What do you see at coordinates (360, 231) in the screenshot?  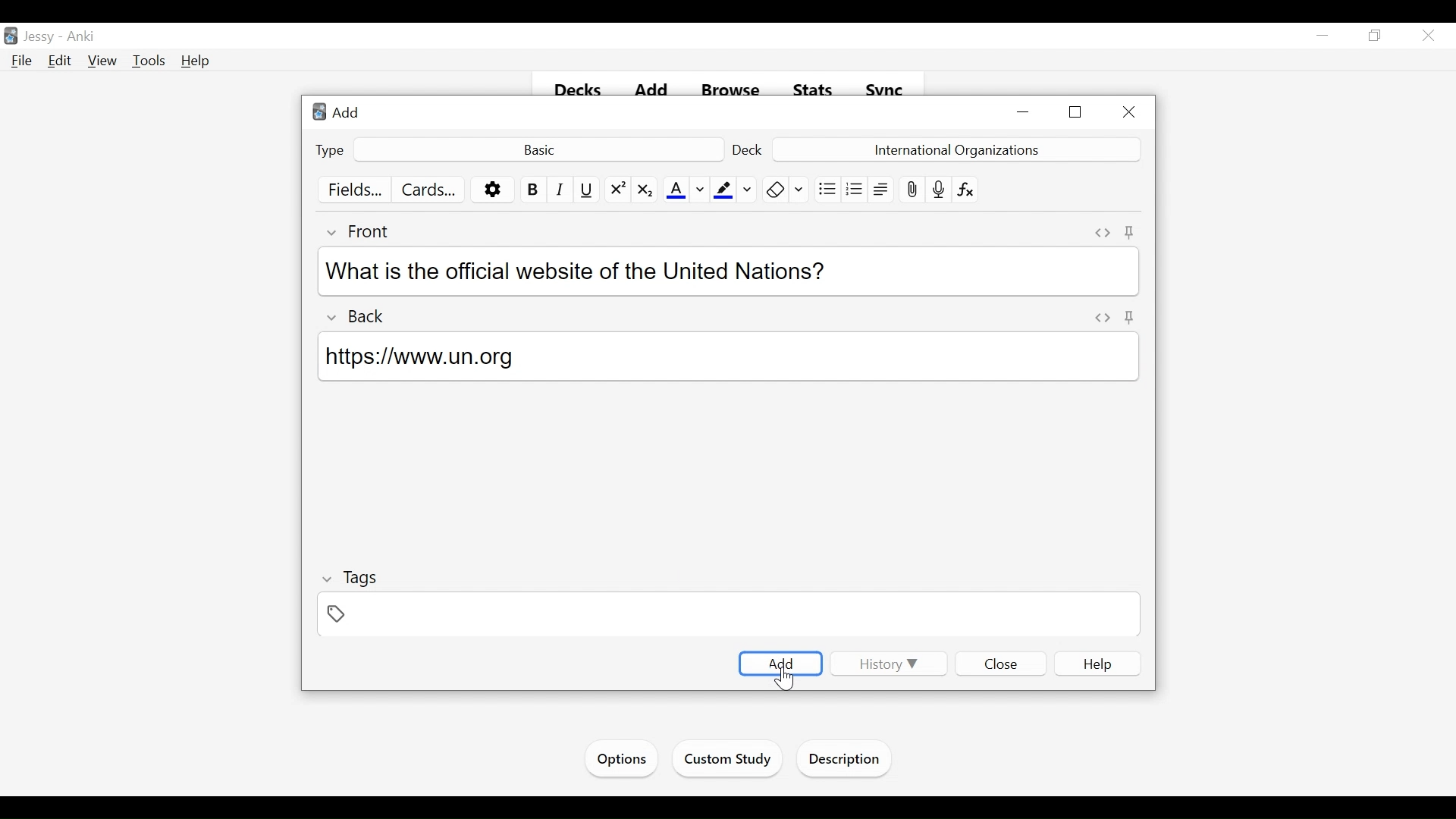 I see `Front` at bounding box center [360, 231].